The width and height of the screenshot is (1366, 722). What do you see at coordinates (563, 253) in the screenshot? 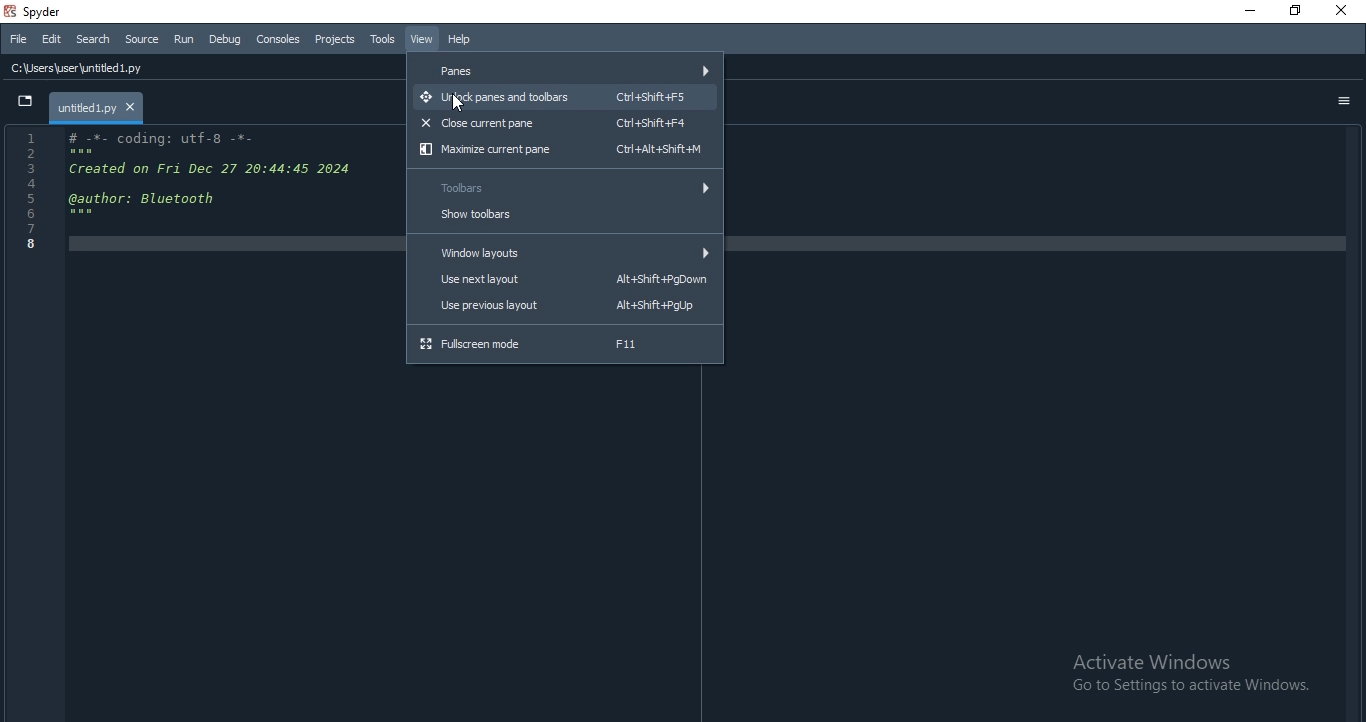
I see `window layout` at bounding box center [563, 253].